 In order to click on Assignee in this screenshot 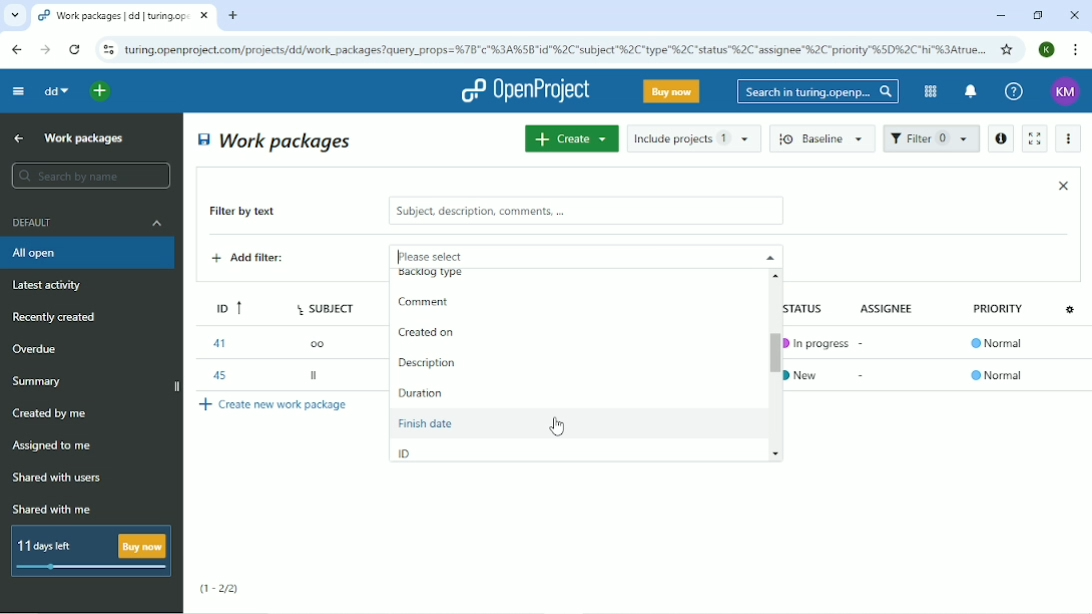, I will do `click(891, 307)`.